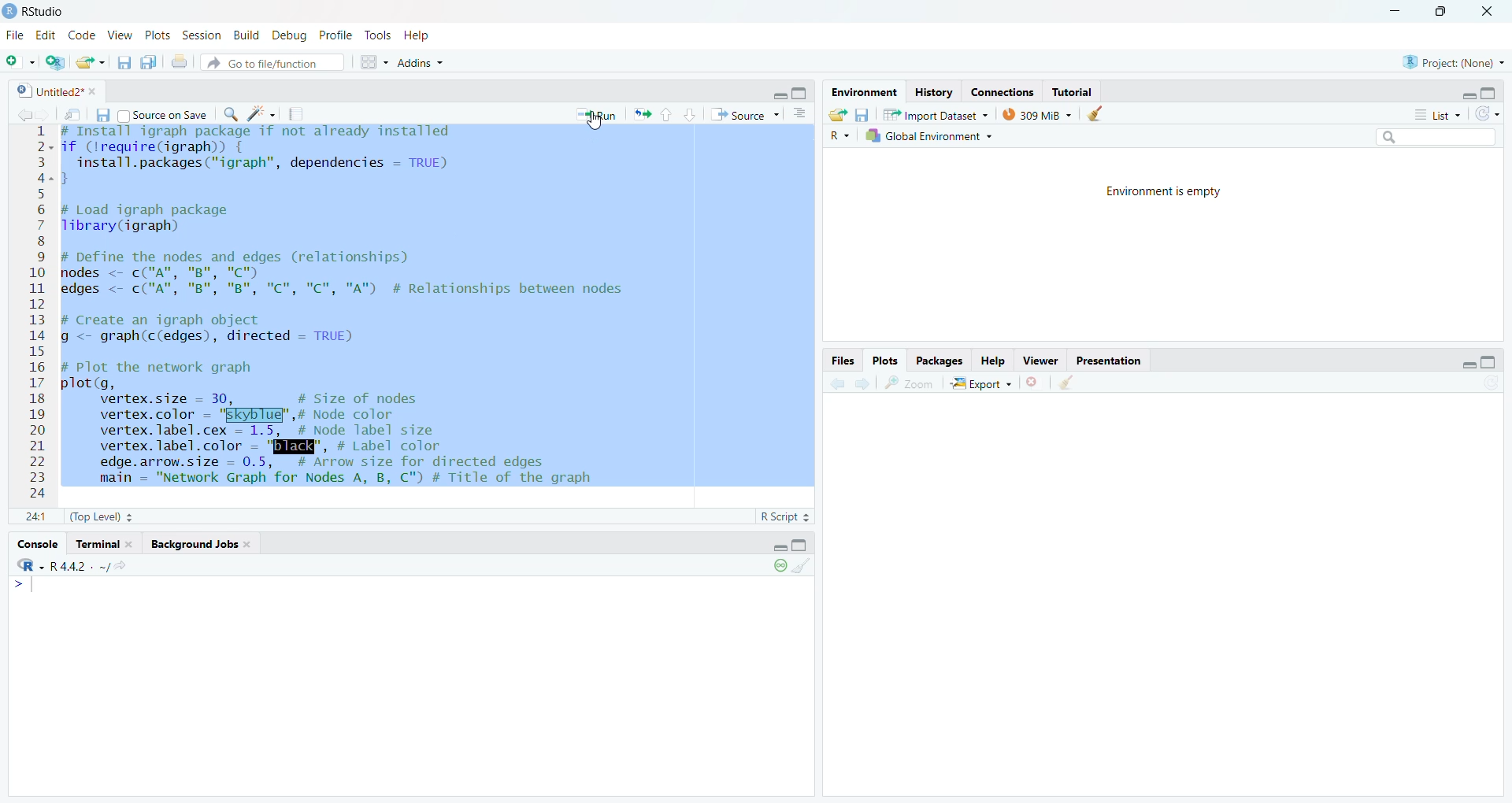  I want to click on Source on Save, so click(167, 116).